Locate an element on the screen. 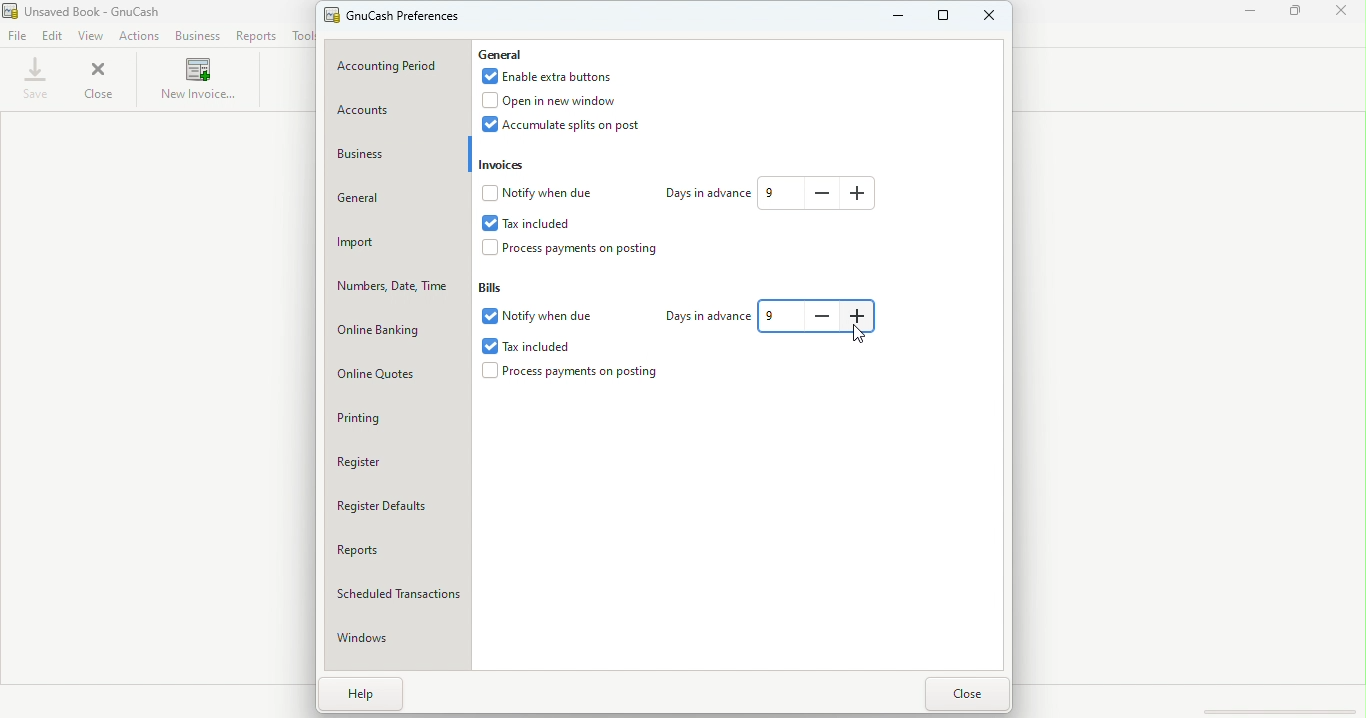  Process payments on posting is located at coordinates (579, 251).